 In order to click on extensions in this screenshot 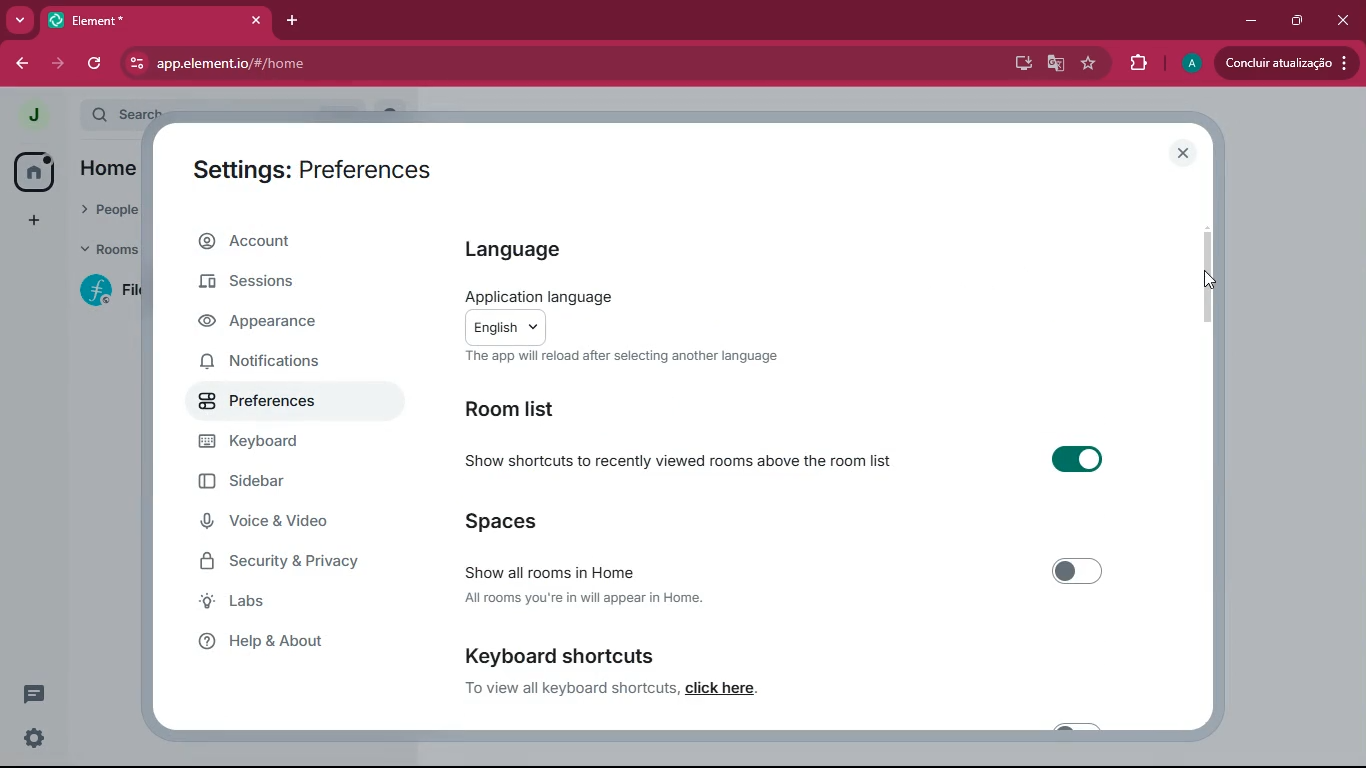, I will do `click(1138, 64)`.